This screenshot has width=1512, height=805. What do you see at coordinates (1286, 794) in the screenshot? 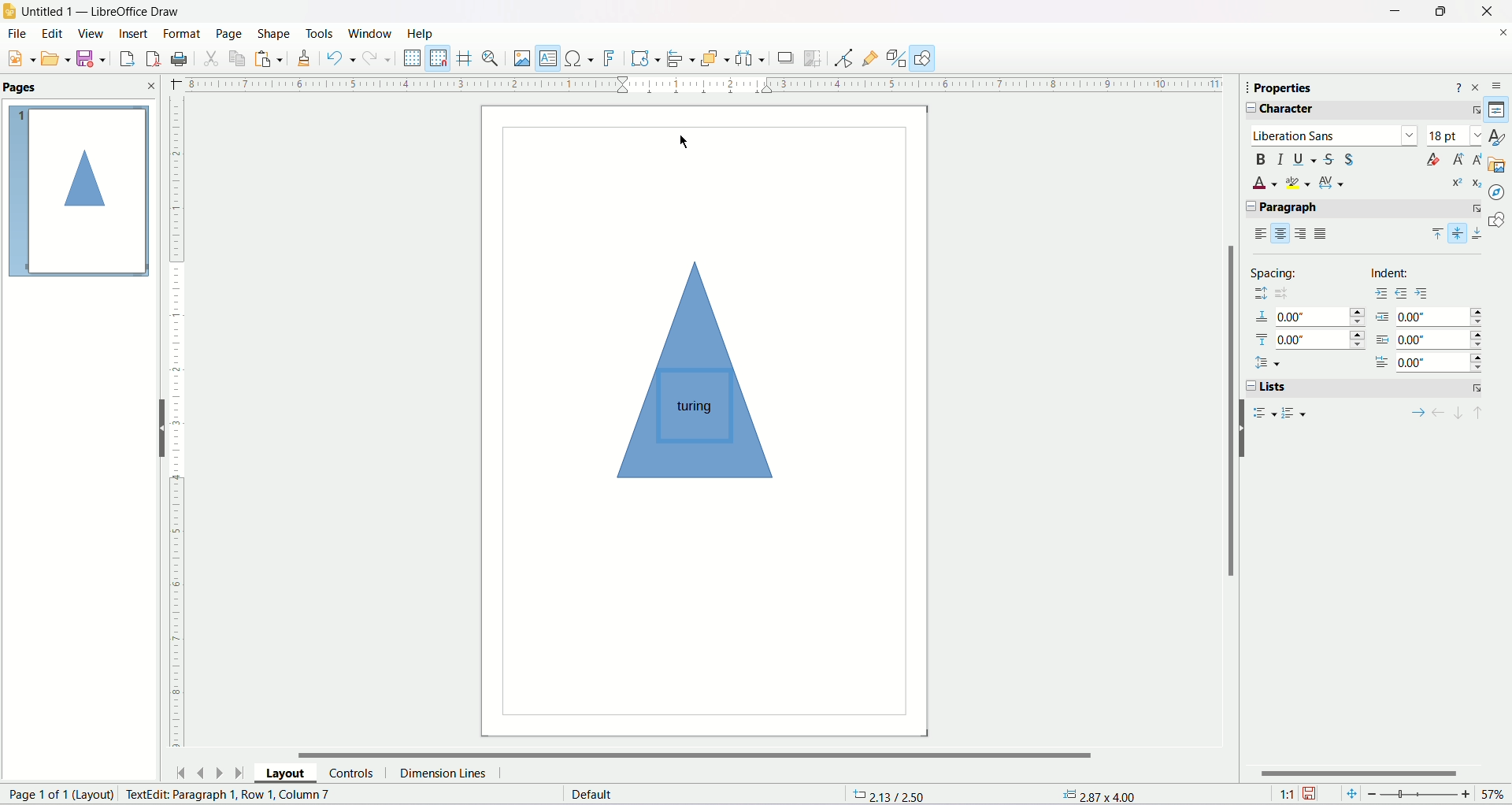
I see `Scale Factor` at bounding box center [1286, 794].